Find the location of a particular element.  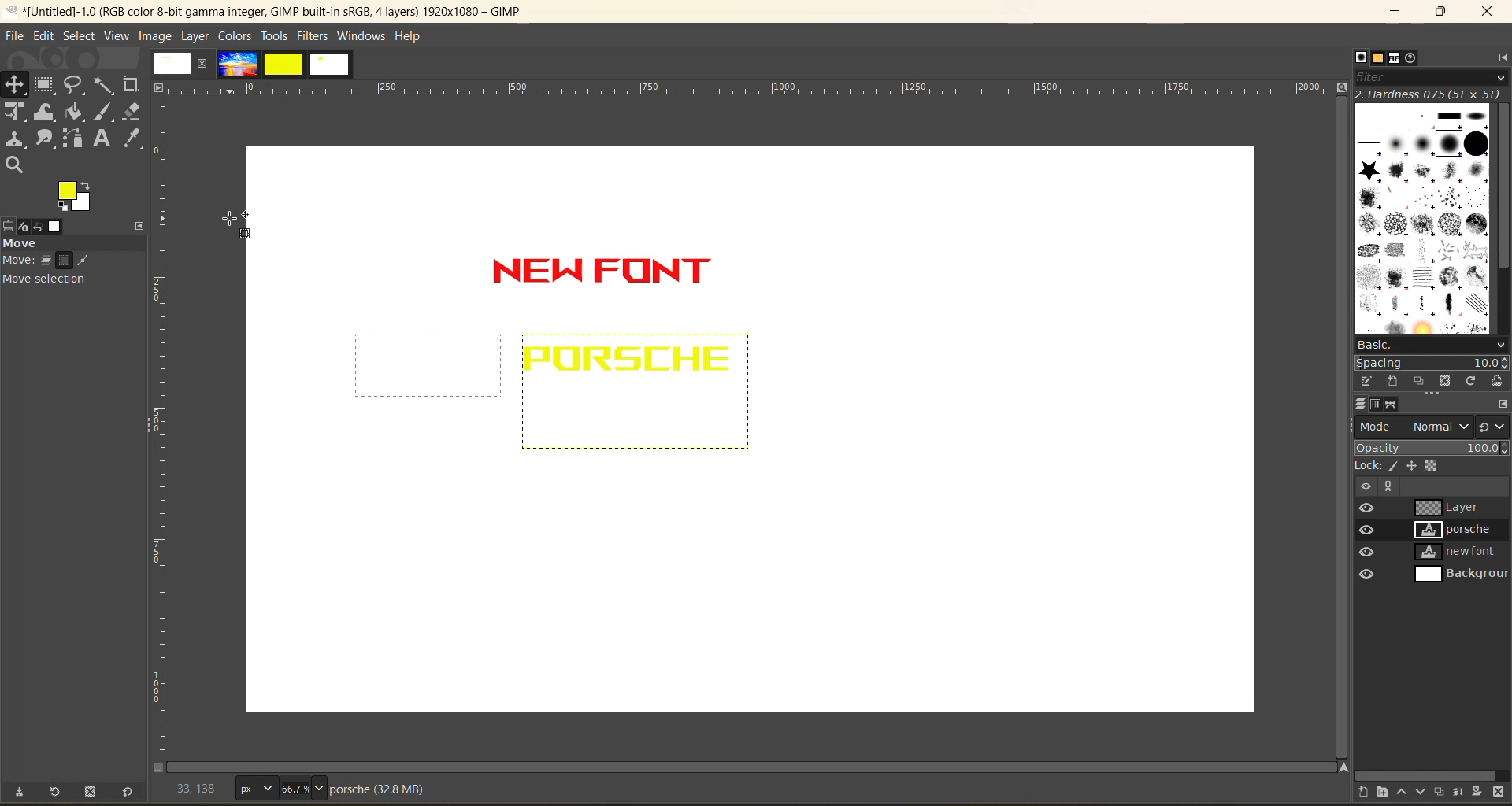

reset to default values is located at coordinates (128, 793).